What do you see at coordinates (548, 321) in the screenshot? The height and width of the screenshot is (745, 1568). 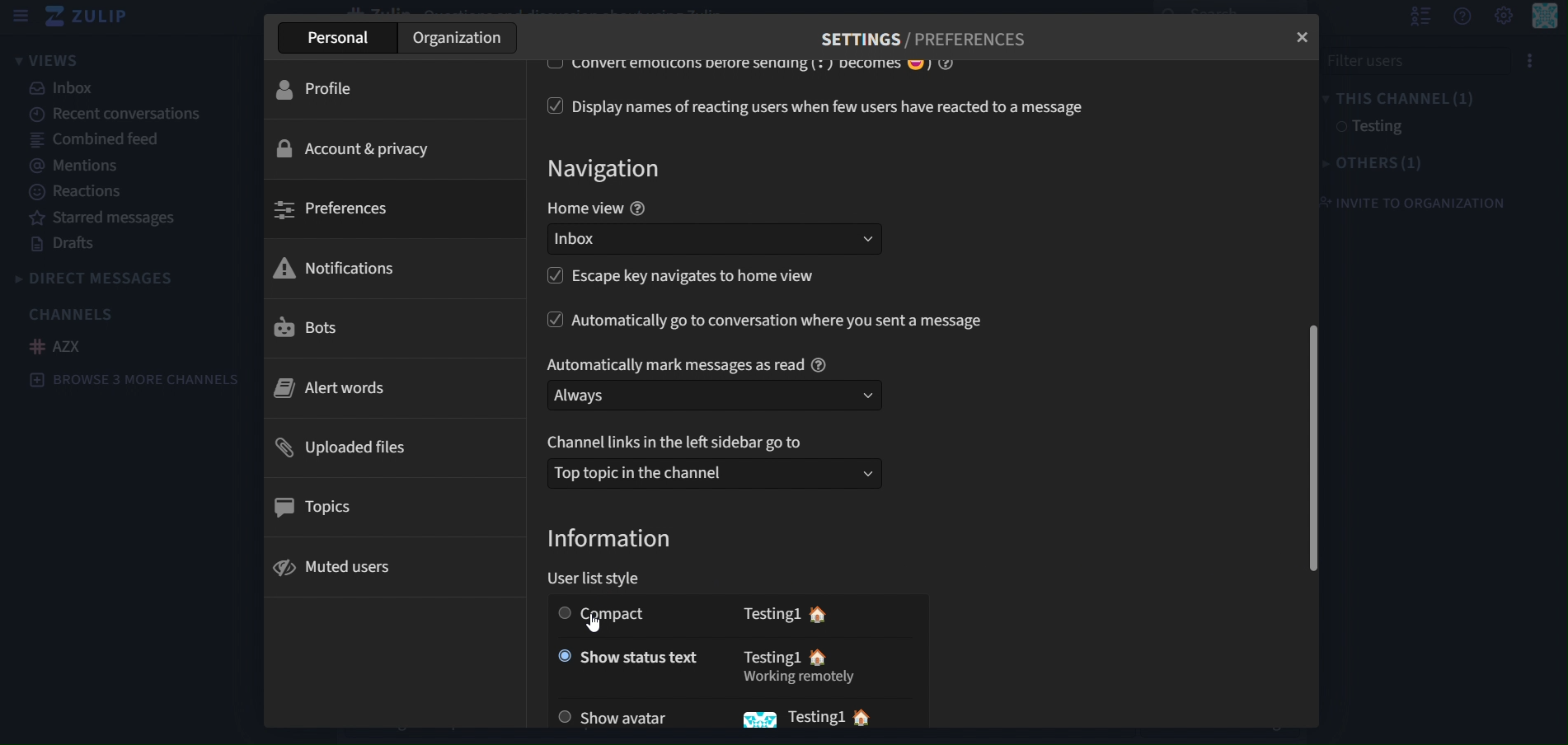 I see `check box` at bounding box center [548, 321].